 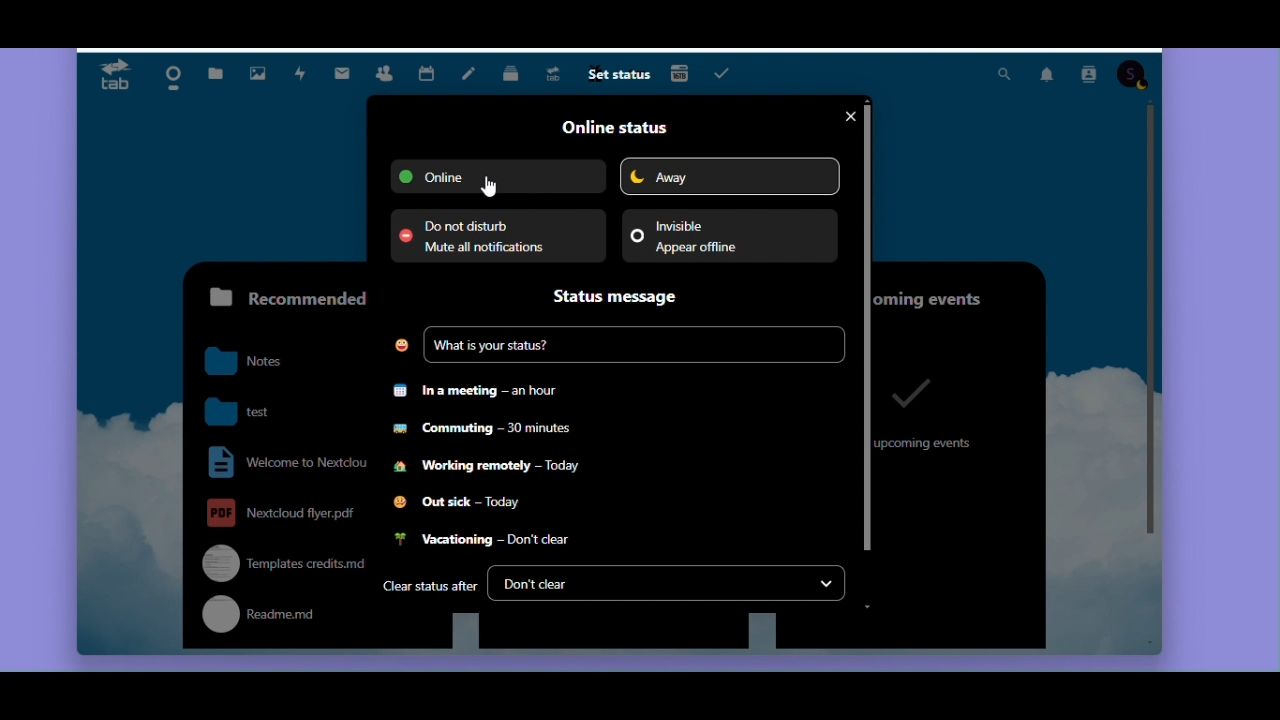 What do you see at coordinates (470, 75) in the screenshot?
I see `Notes` at bounding box center [470, 75].